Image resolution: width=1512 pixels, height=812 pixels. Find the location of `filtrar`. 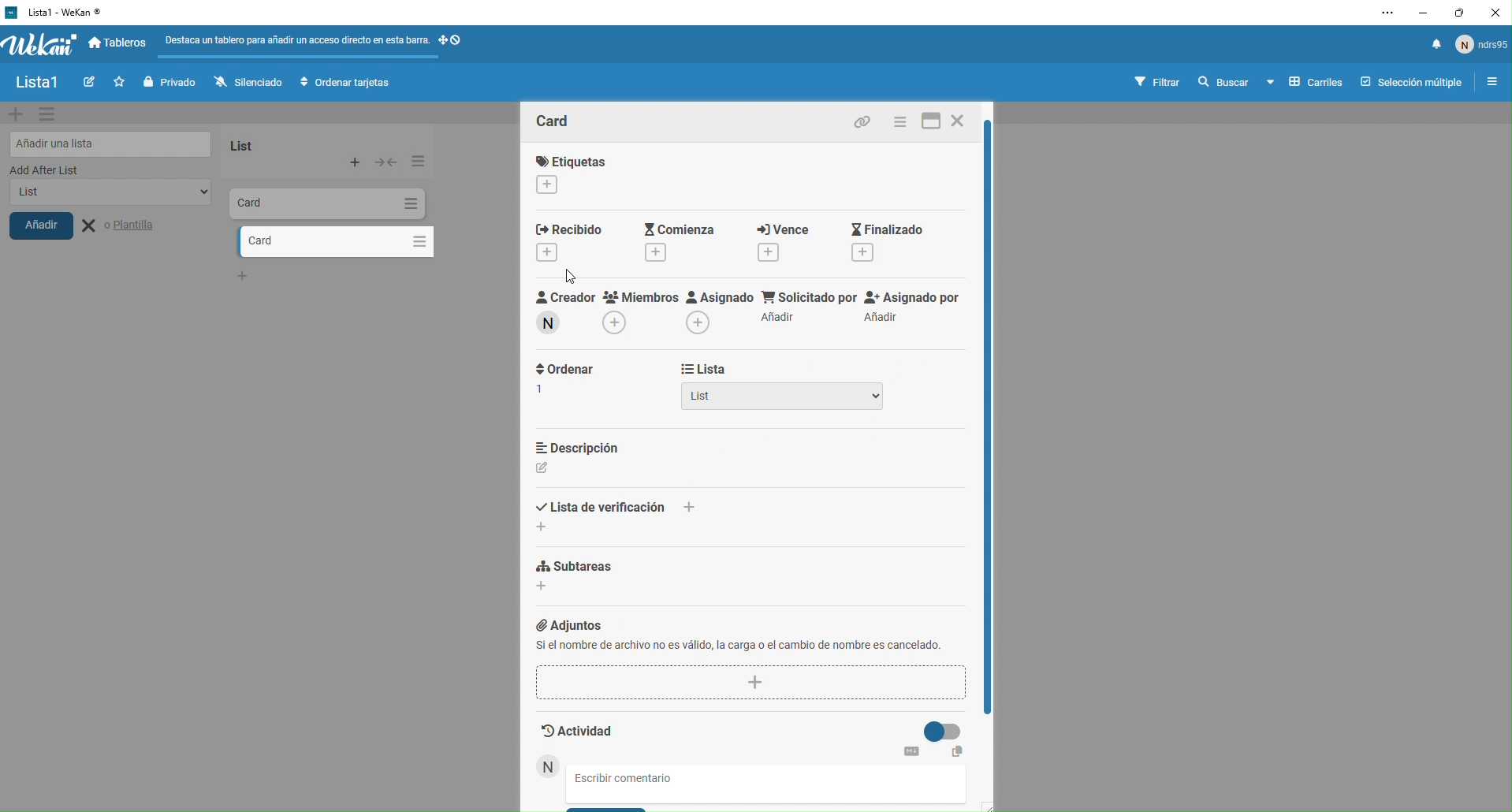

filtrar is located at coordinates (1159, 81).